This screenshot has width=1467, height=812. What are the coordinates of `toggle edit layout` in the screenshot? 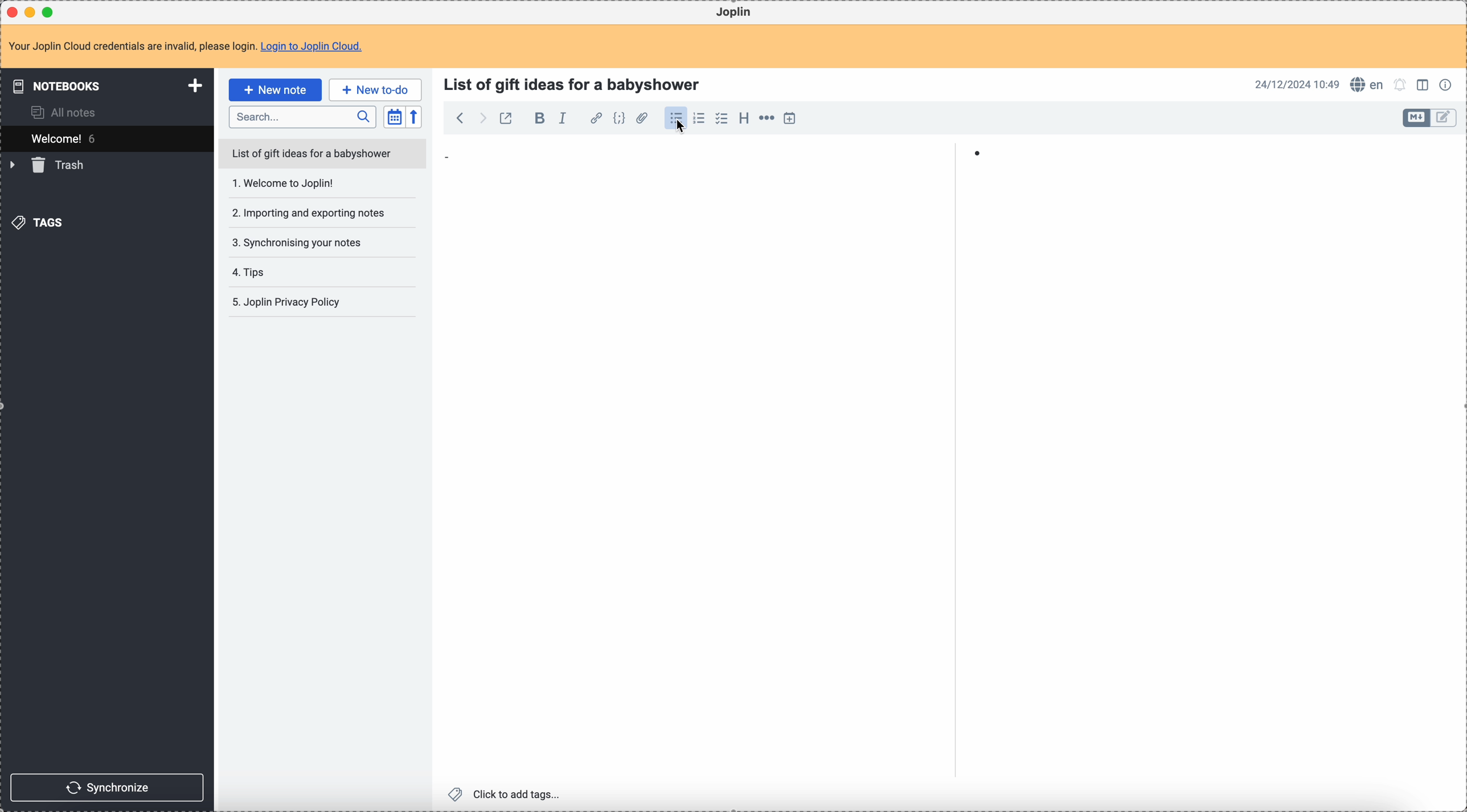 It's located at (1425, 87).